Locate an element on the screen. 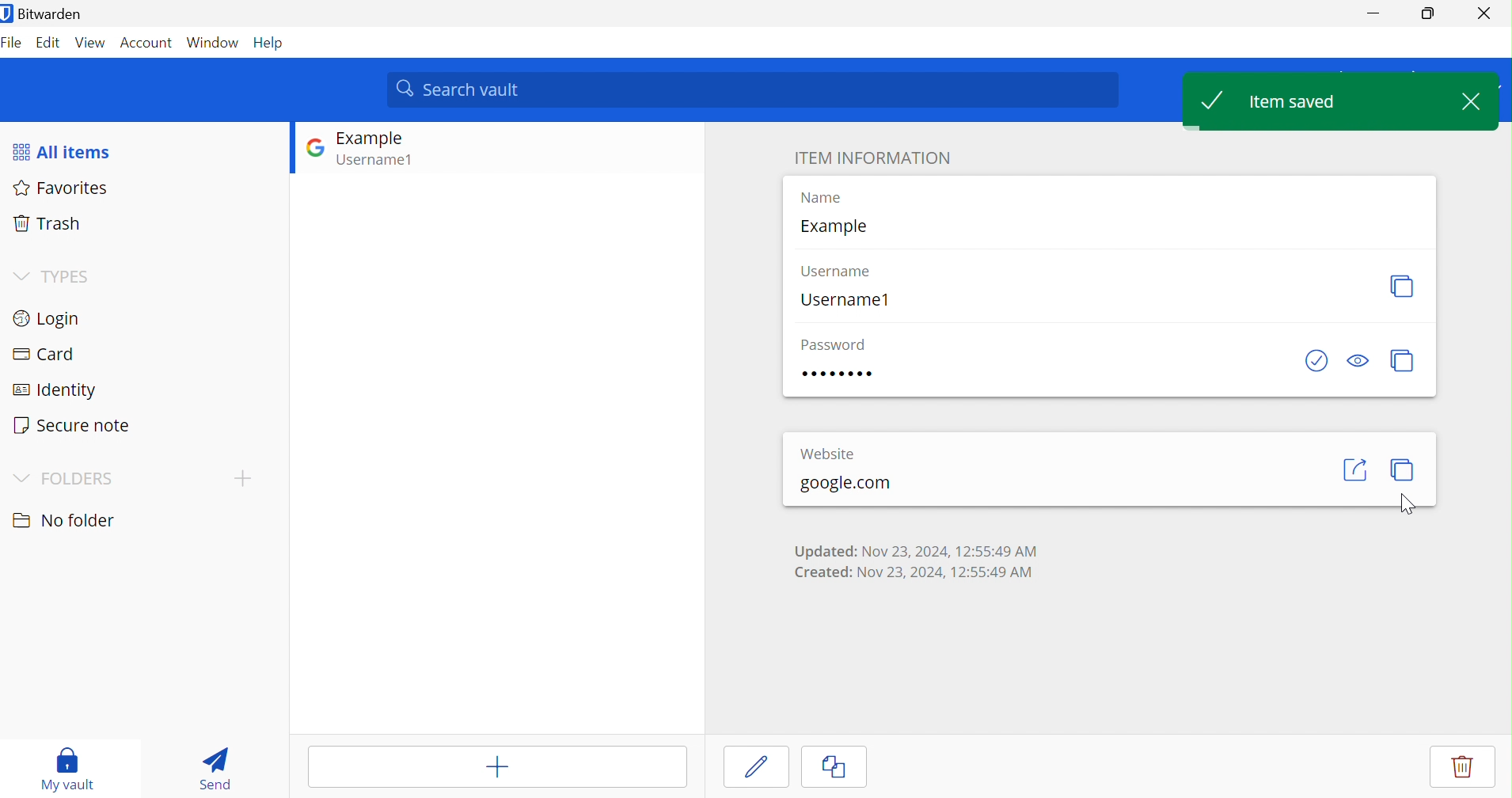 The height and width of the screenshot is (798, 1512). Send is located at coordinates (211, 766).